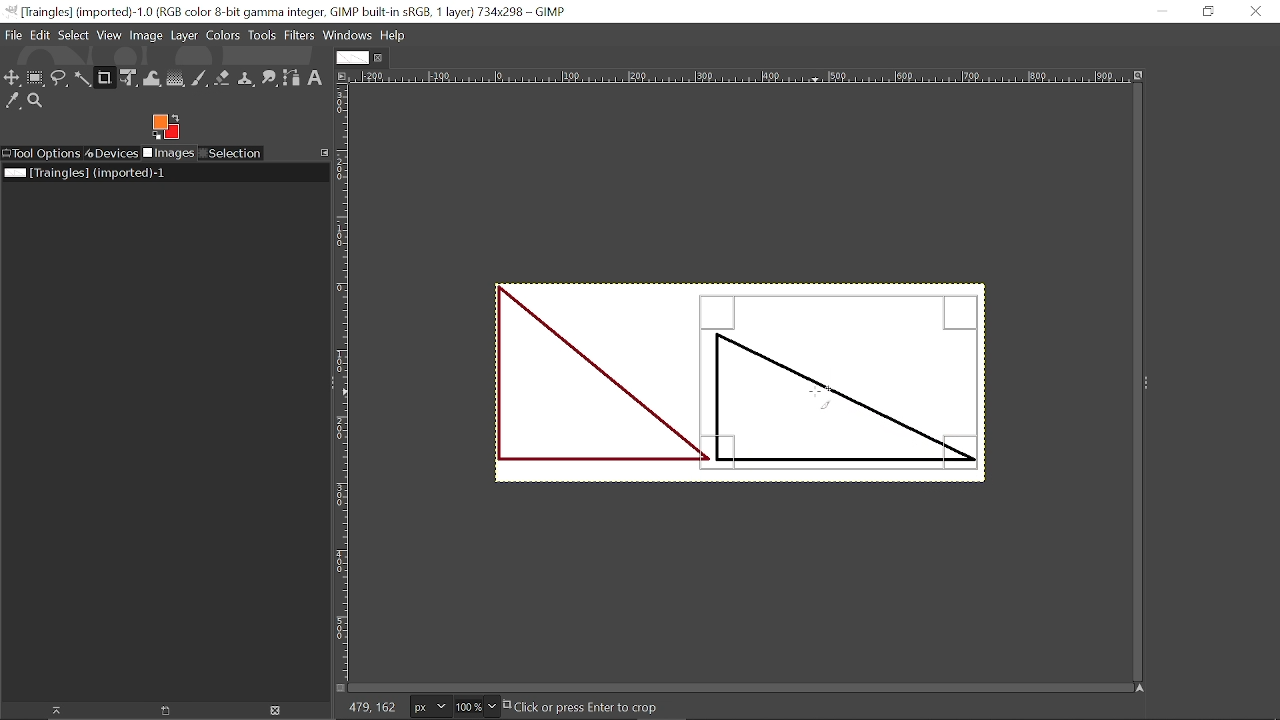  What do you see at coordinates (1141, 688) in the screenshot?
I see `Navigate the image display` at bounding box center [1141, 688].